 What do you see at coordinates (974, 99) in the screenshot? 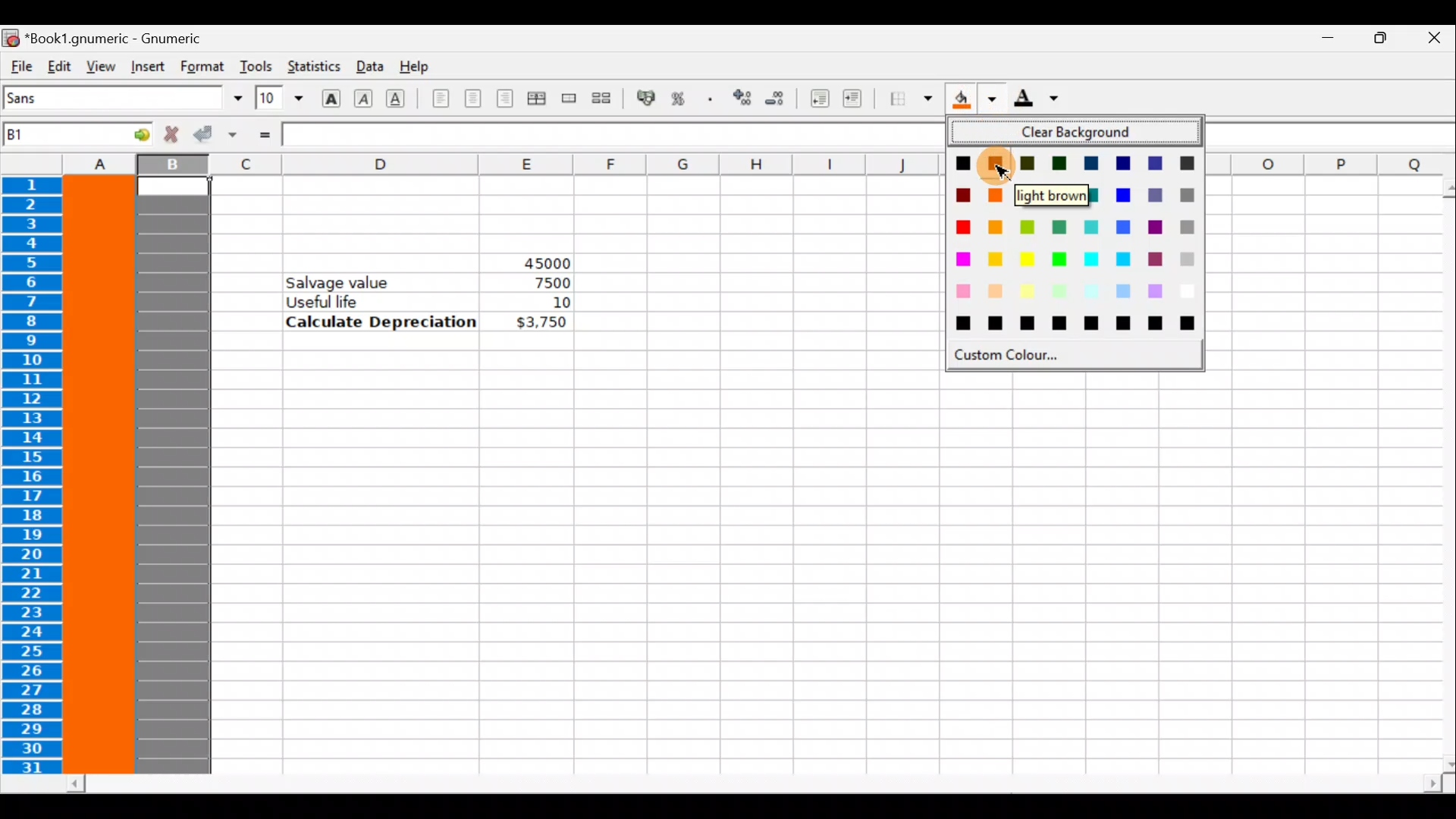
I see `Background` at bounding box center [974, 99].